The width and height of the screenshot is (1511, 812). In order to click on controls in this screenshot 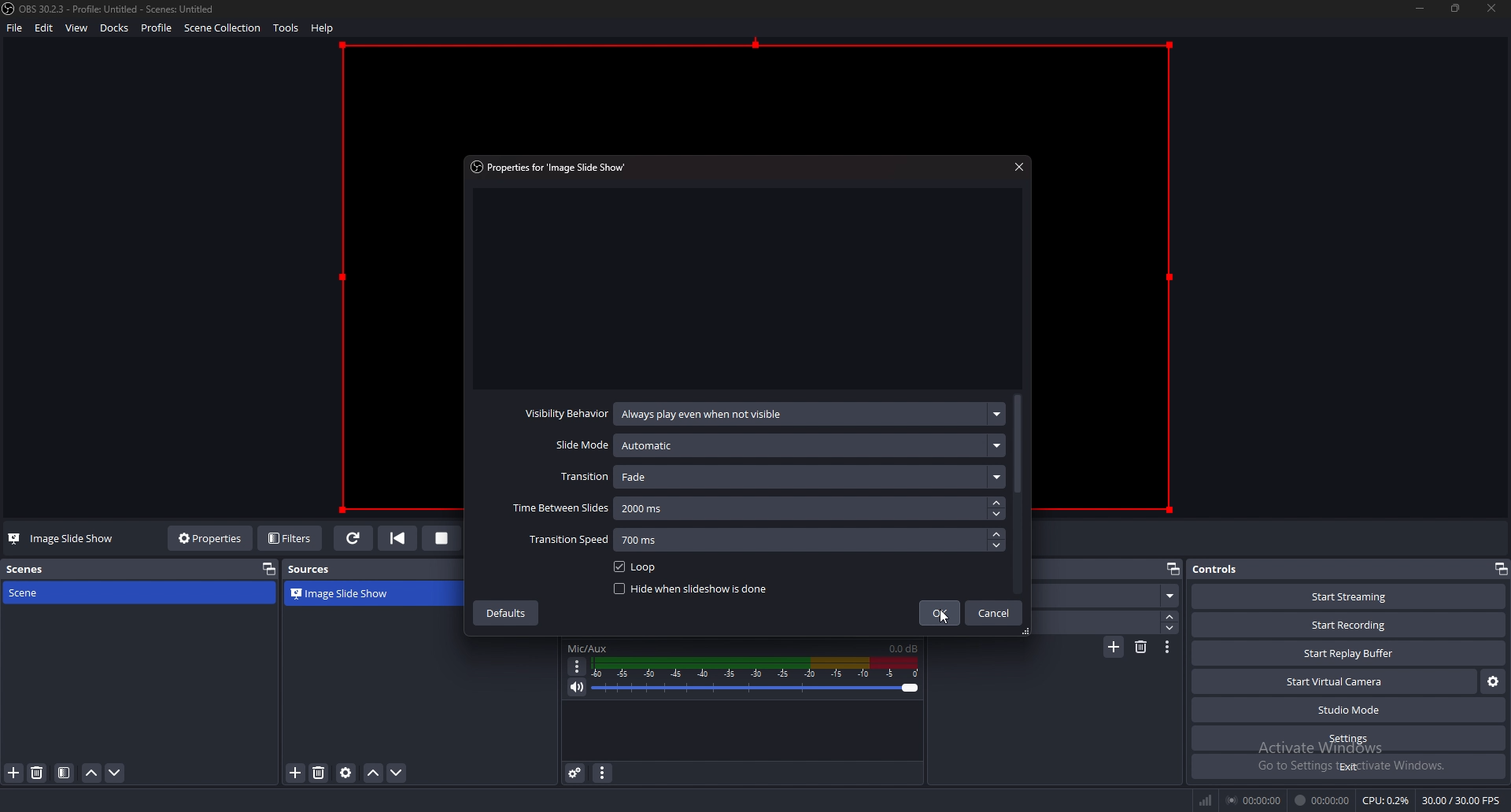, I will do `click(1225, 570)`.